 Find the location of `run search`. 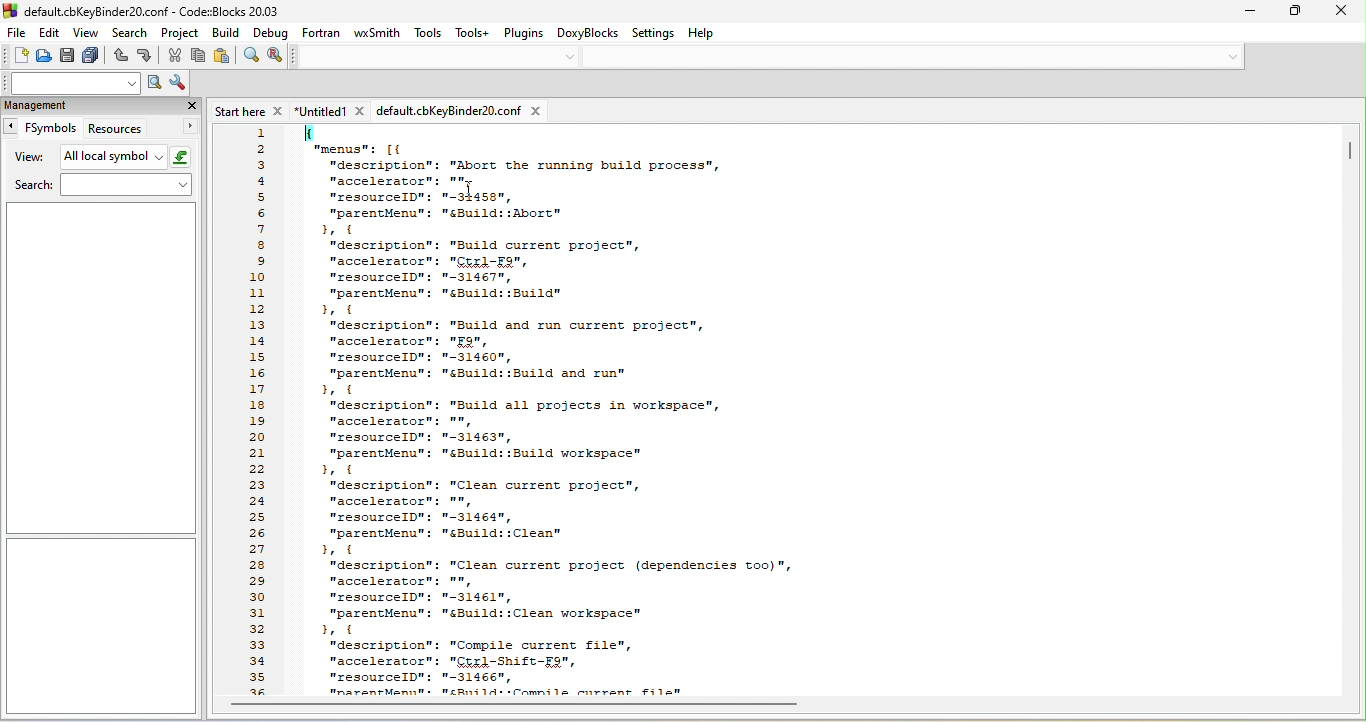

run search is located at coordinates (153, 83).